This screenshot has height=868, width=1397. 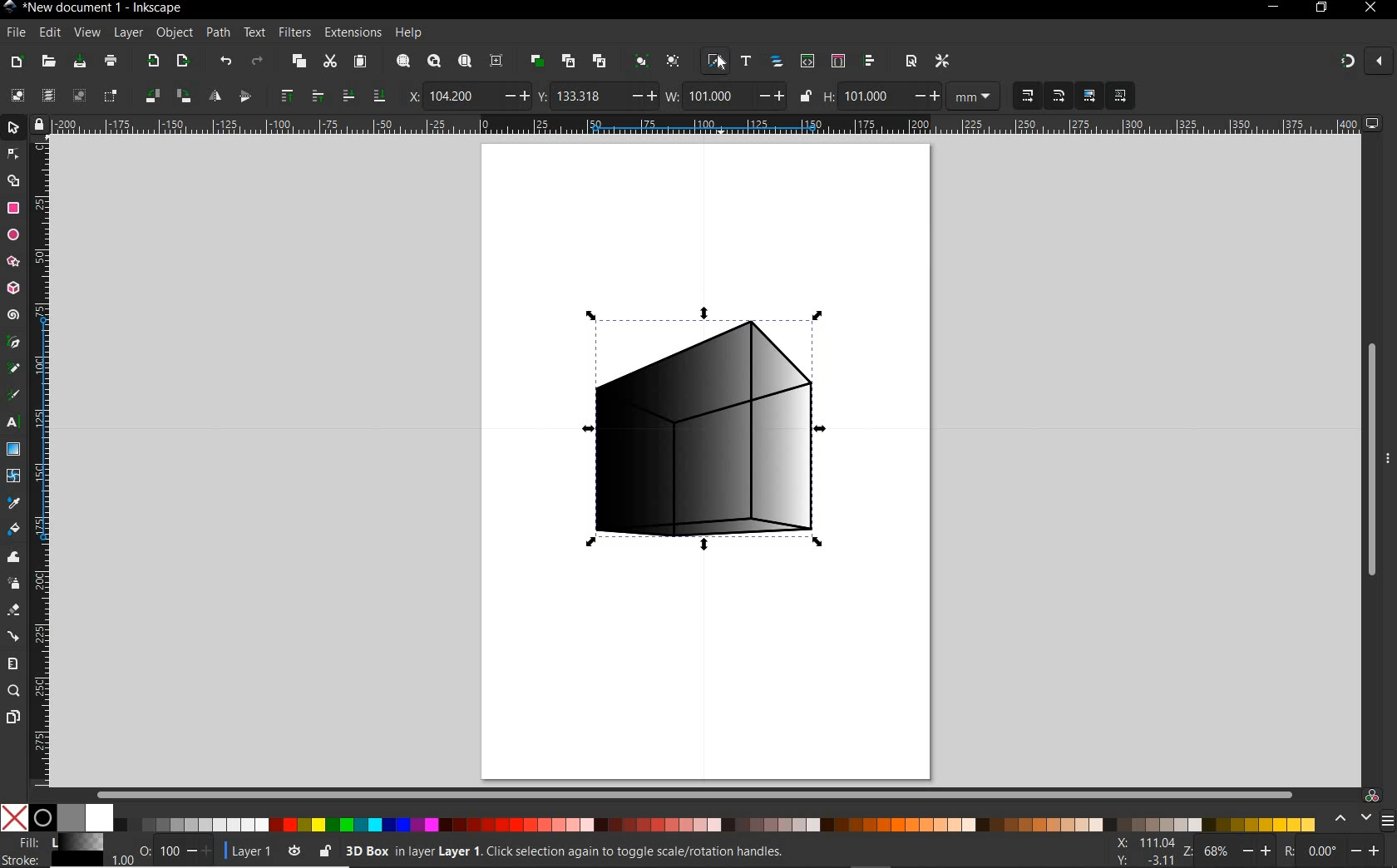 What do you see at coordinates (497, 61) in the screenshot?
I see `ZOOM CENTER PAGE` at bounding box center [497, 61].